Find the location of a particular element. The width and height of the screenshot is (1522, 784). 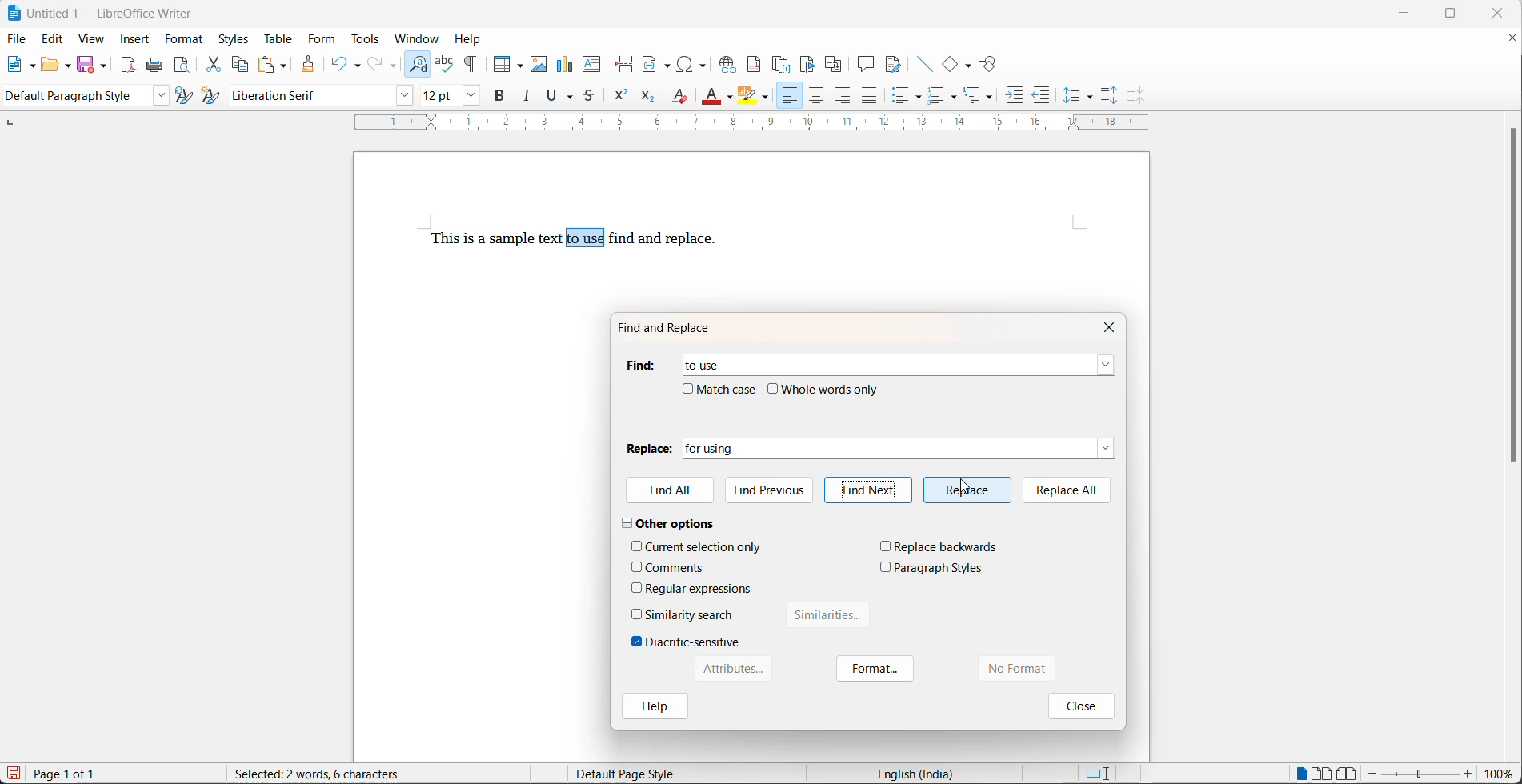

cut is located at coordinates (214, 66).